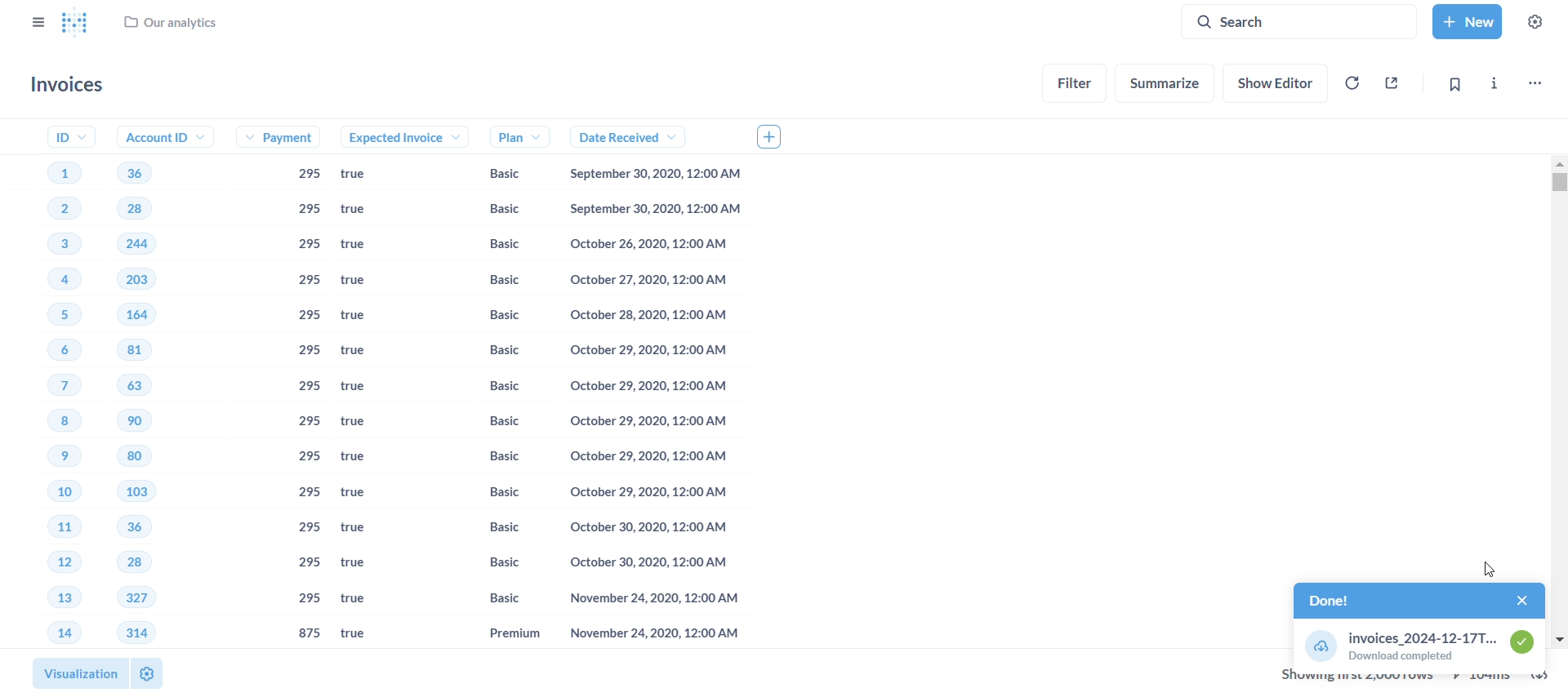  What do you see at coordinates (138, 243) in the screenshot?
I see `244` at bounding box center [138, 243].